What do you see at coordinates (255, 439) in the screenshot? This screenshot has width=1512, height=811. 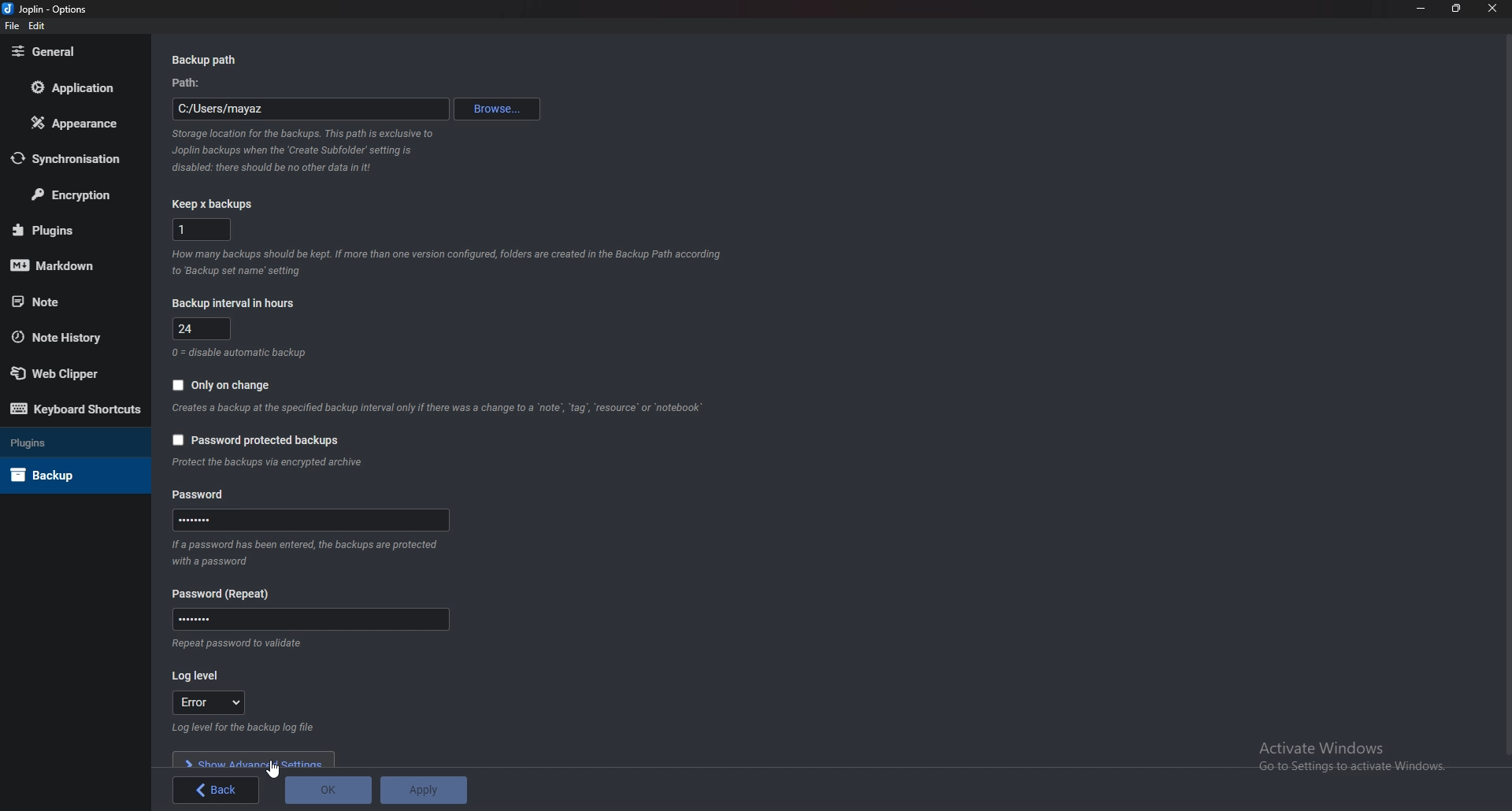 I see `Password protected backups` at bounding box center [255, 439].